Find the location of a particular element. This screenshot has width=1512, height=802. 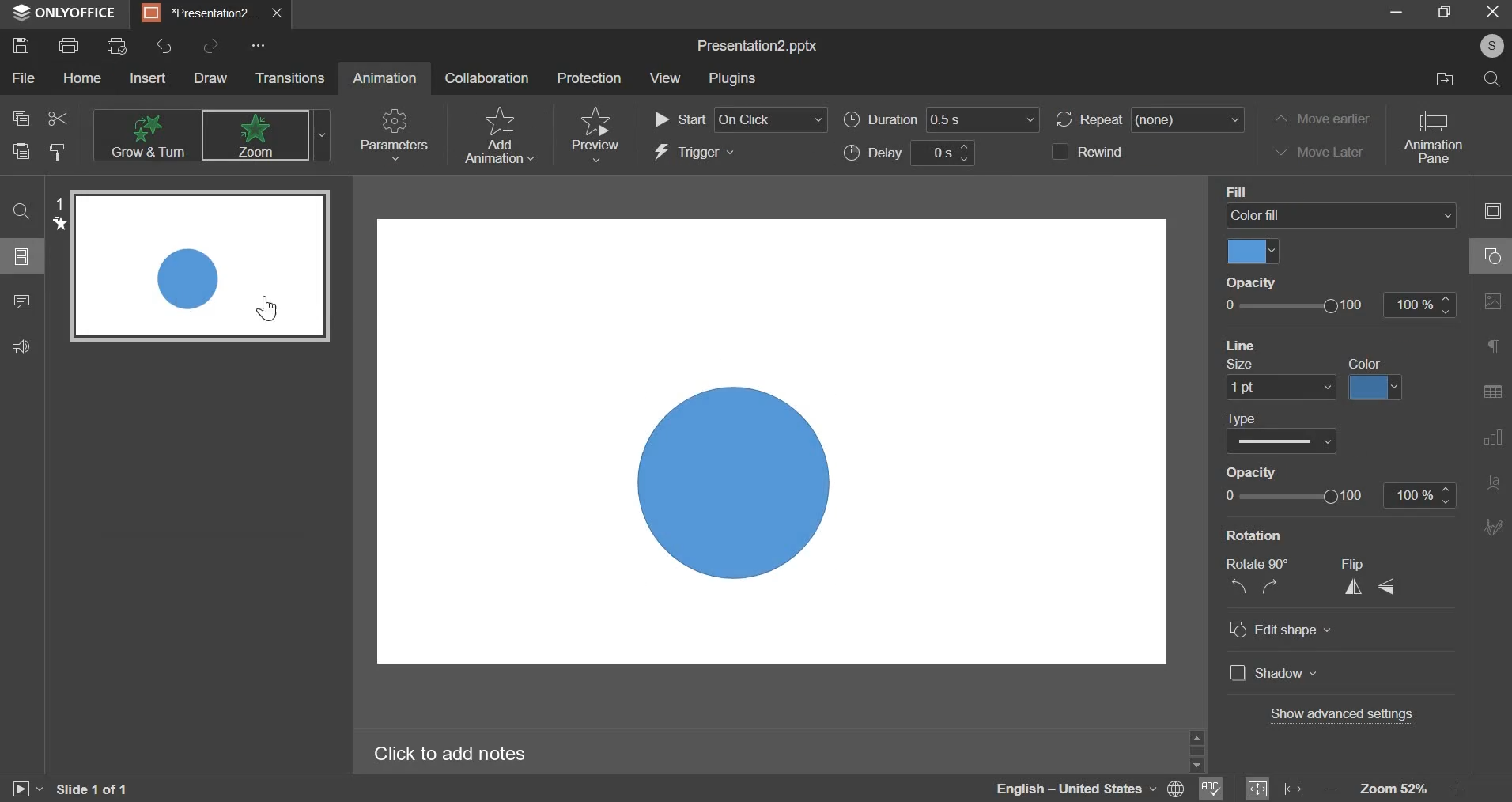

paste is located at coordinates (21, 149).